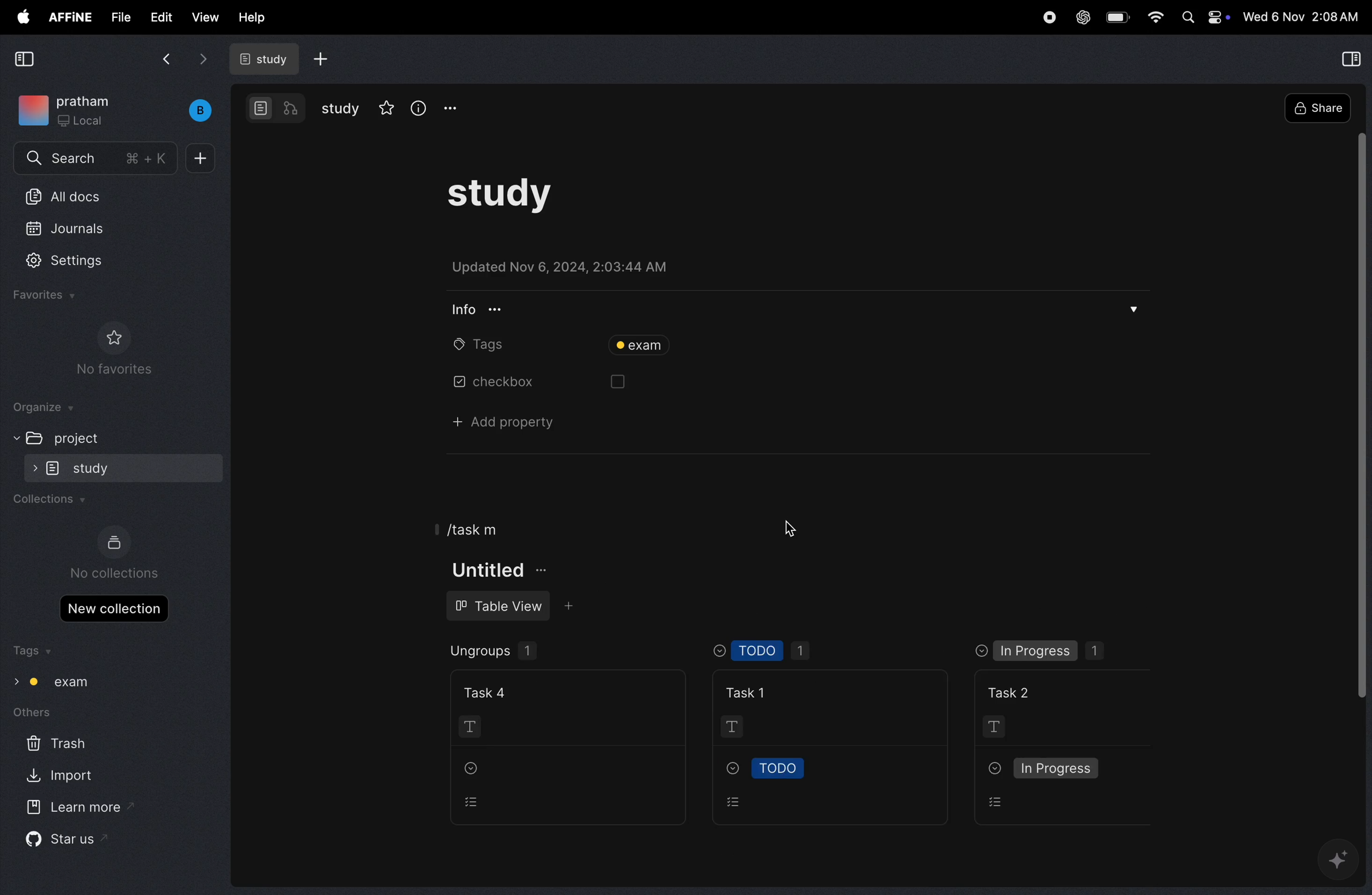  What do you see at coordinates (1046, 17) in the screenshot?
I see `record` at bounding box center [1046, 17].